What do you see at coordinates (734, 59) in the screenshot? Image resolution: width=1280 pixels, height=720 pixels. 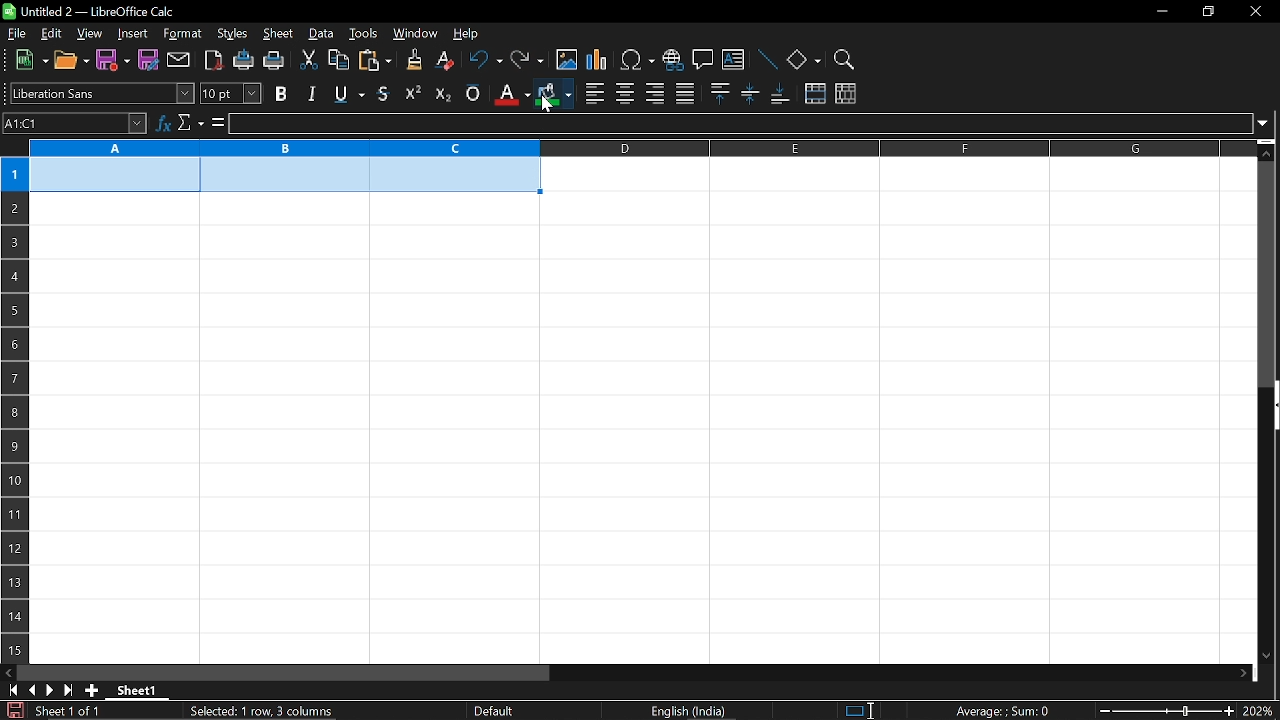 I see `insert text` at bounding box center [734, 59].